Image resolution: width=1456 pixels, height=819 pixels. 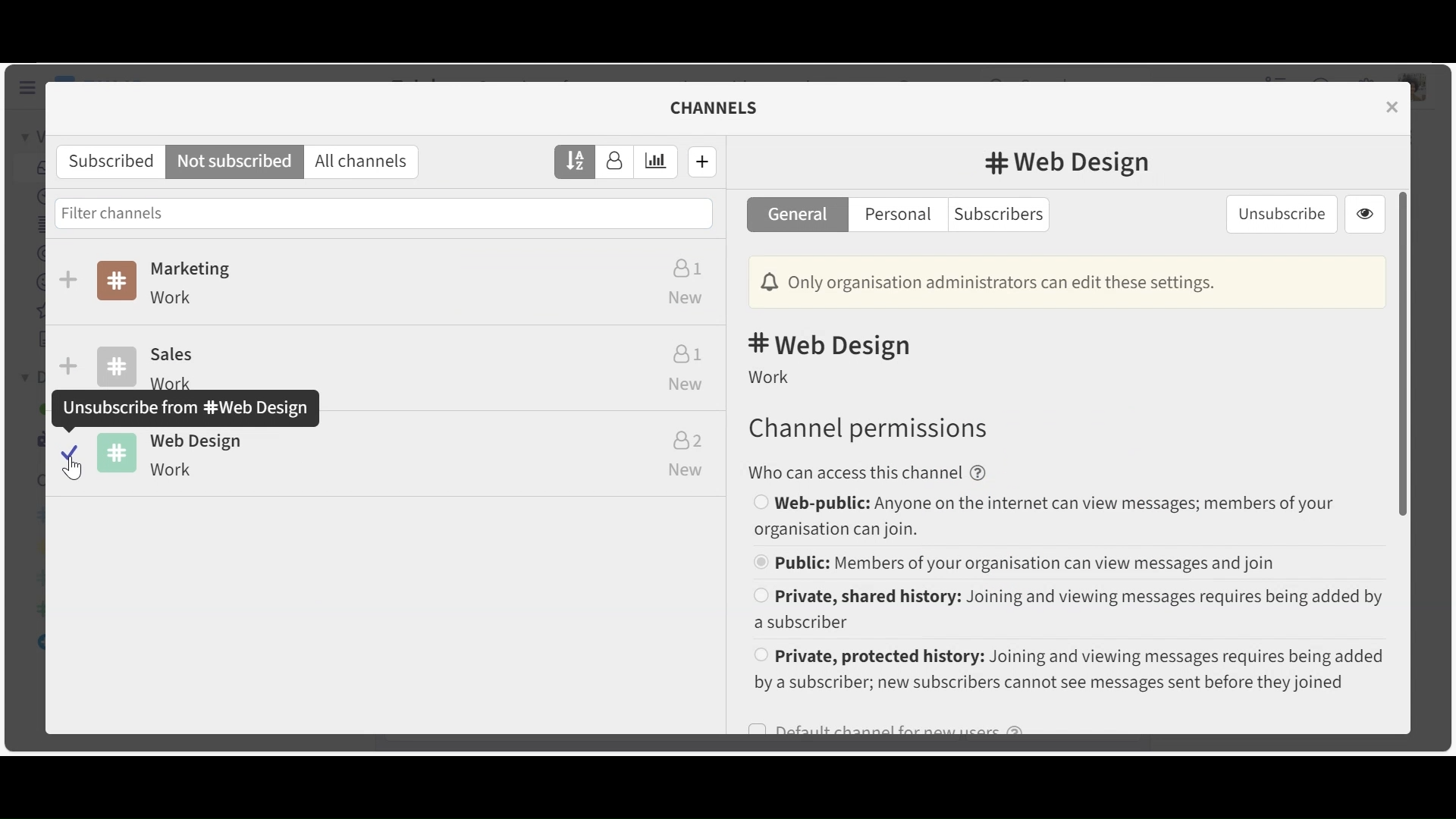 What do you see at coordinates (403, 284) in the screenshot?
I see `Channel name and description` at bounding box center [403, 284].